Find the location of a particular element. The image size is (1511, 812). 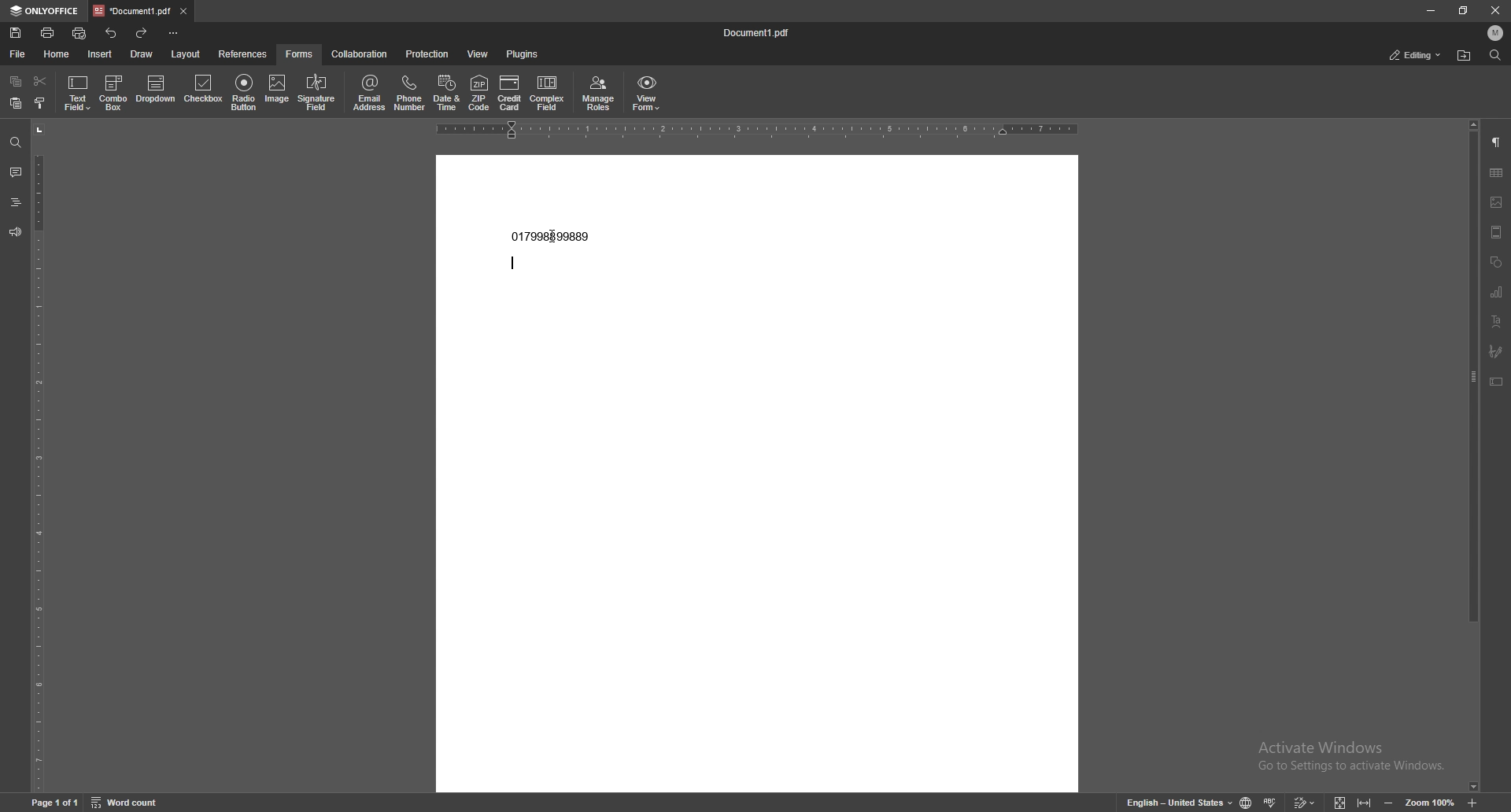

locate file is located at coordinates (1463, 56).